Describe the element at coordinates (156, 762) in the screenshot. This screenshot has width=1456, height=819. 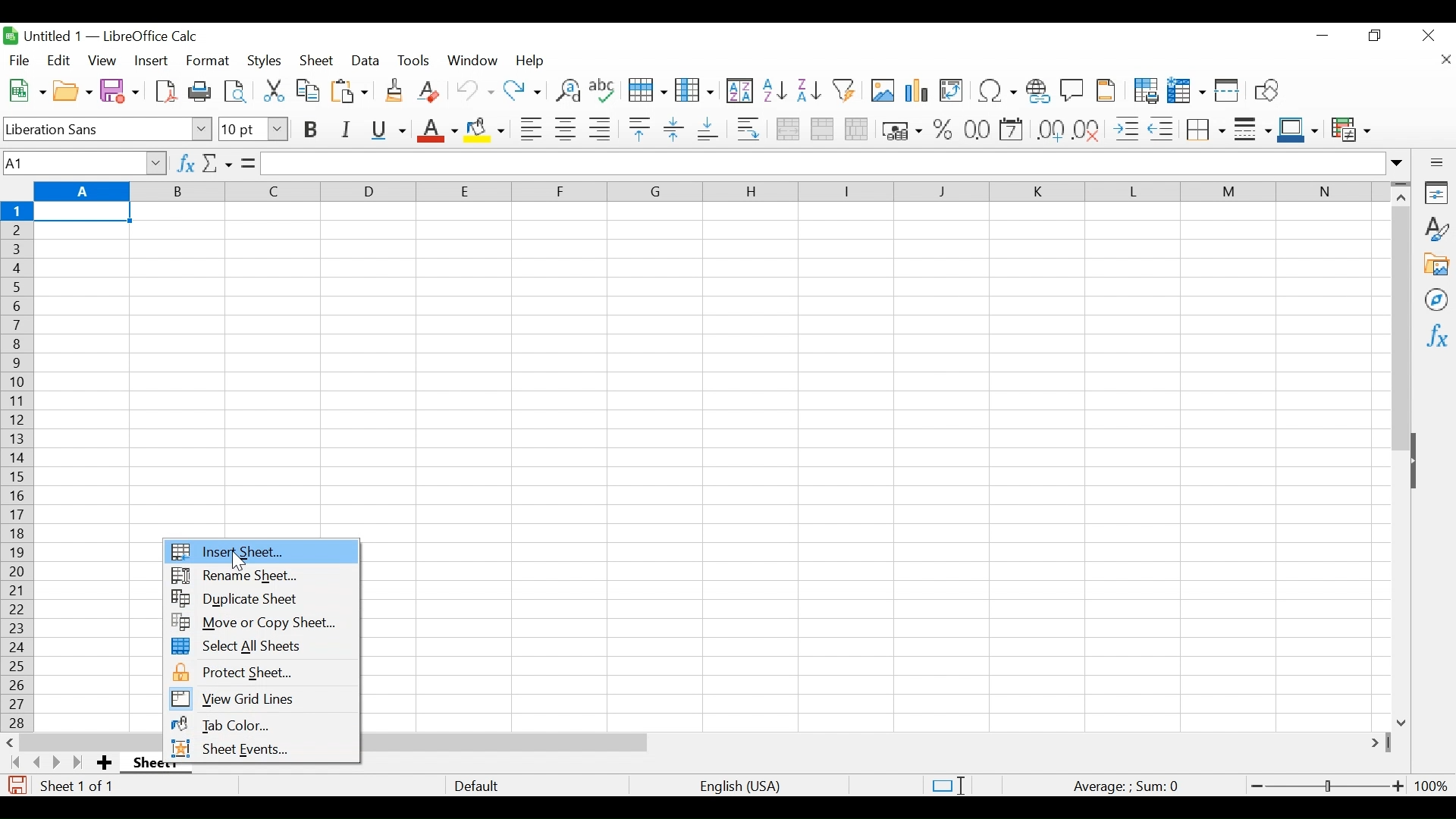
I see `Sheet name` at that location.